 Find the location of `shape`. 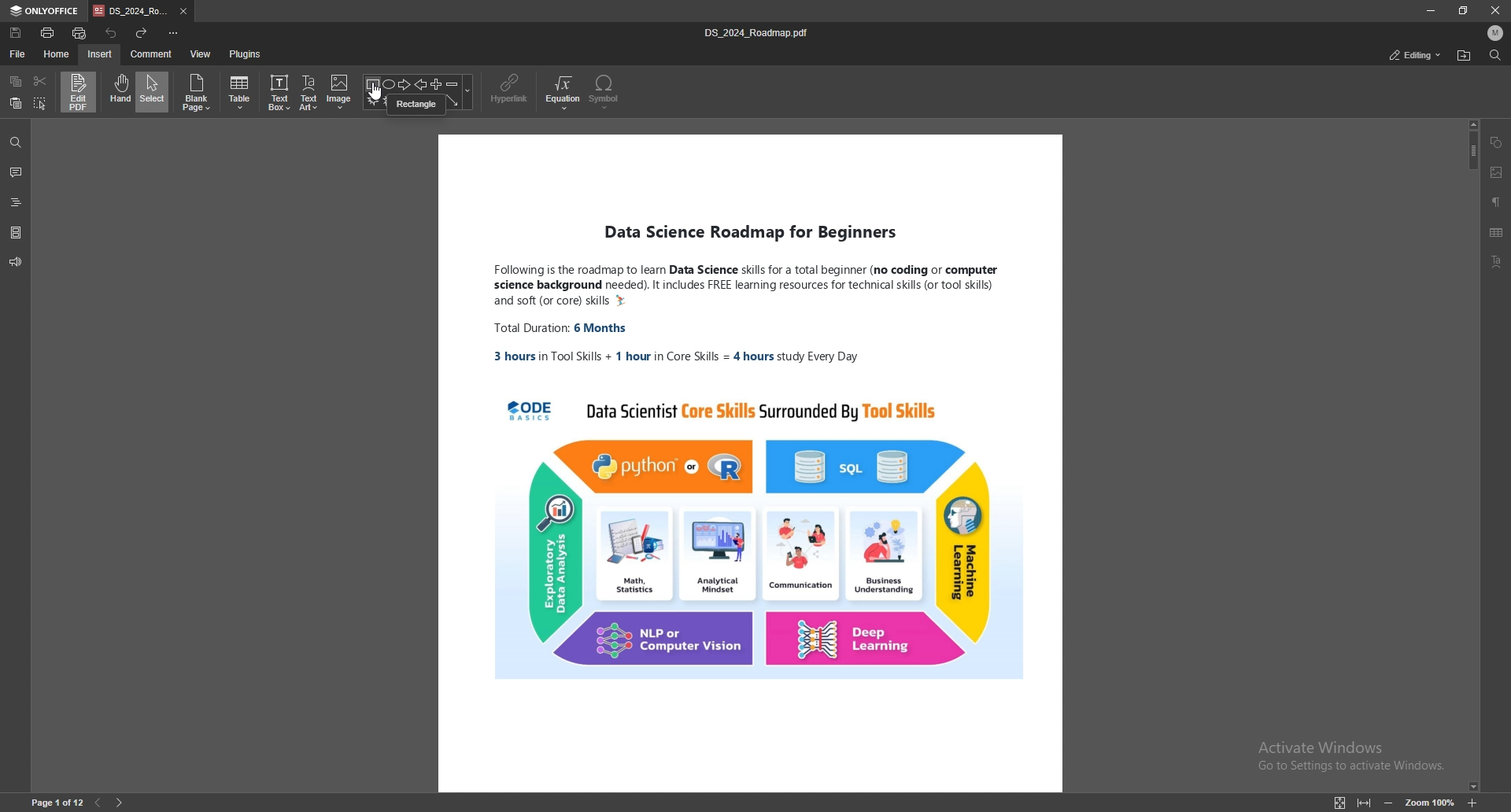

shape is located at coordinates (1498, 142).